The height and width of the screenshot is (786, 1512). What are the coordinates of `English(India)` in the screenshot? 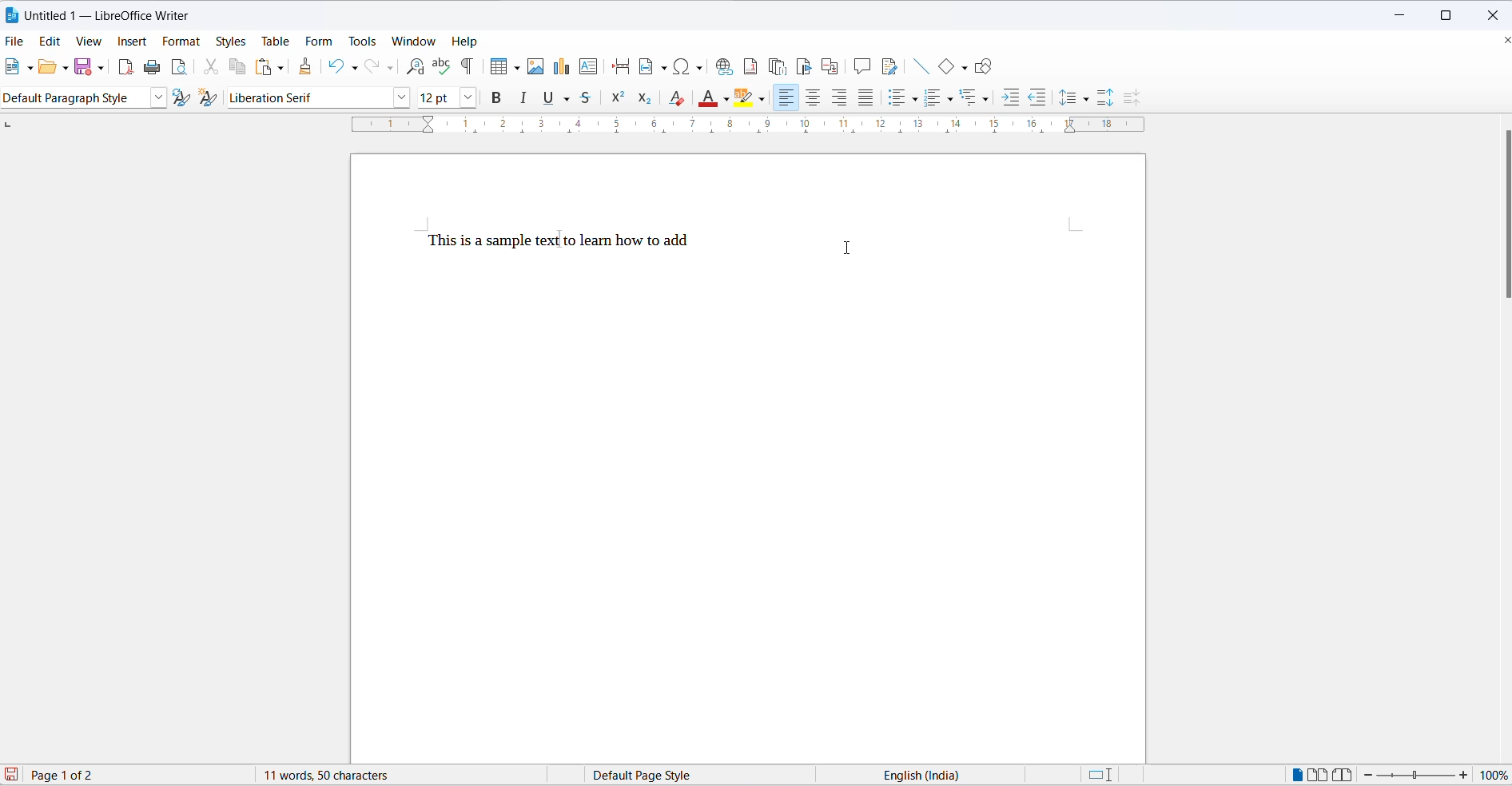 It's located at (930, 775).